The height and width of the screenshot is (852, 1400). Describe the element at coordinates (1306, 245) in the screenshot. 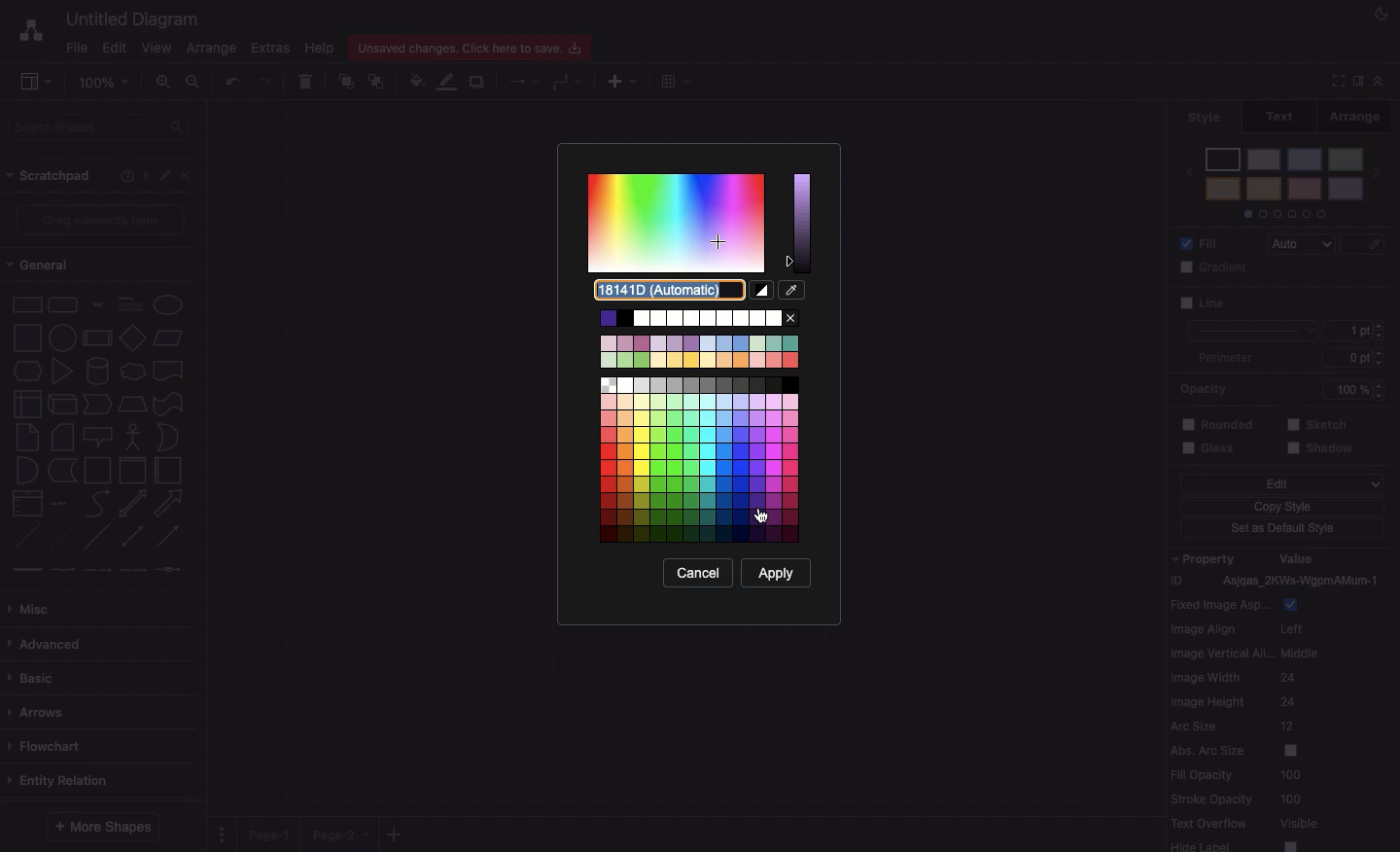

I see `Auto` at that location.